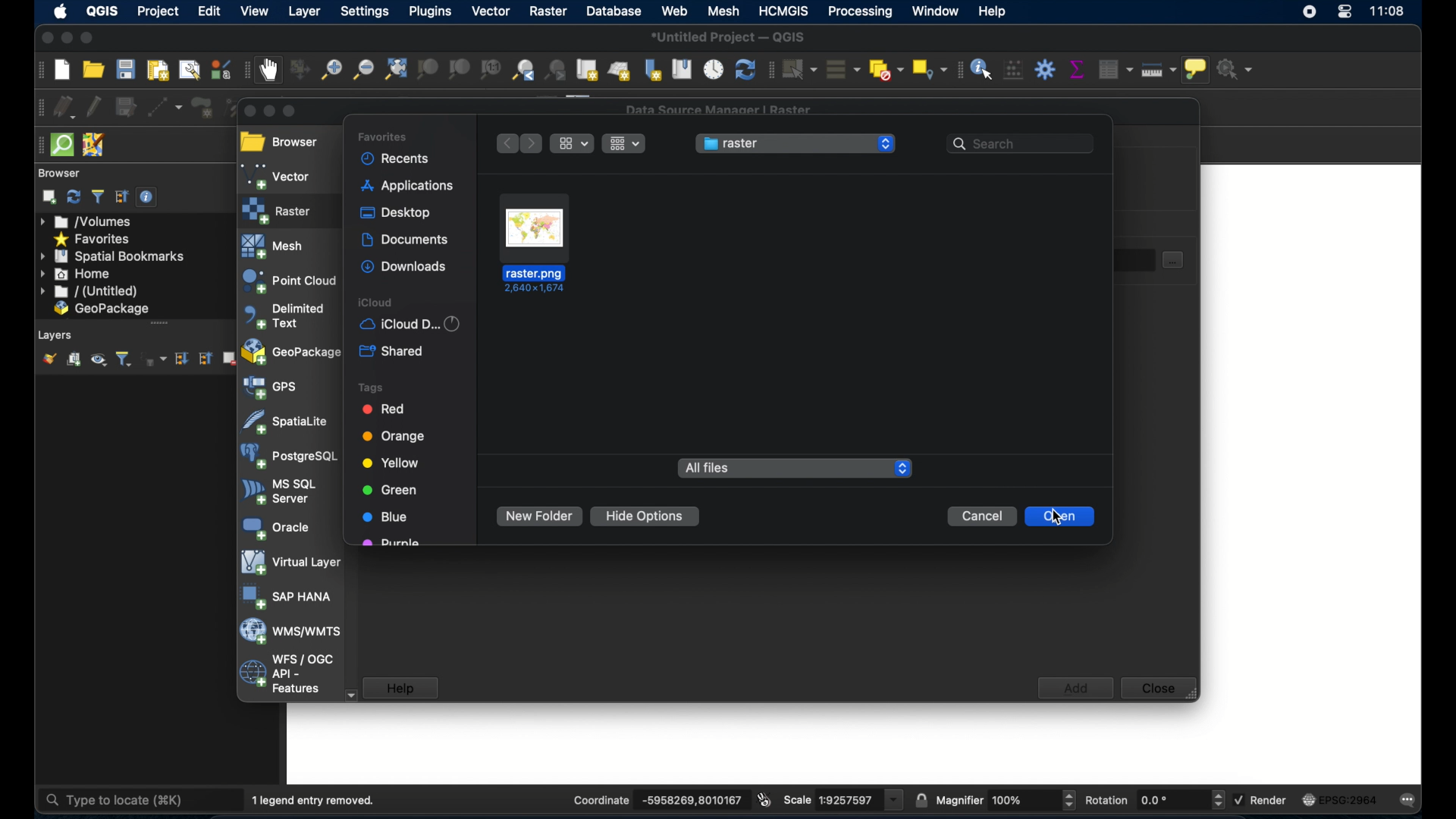 The width and height of the screenshot is (1456, 819). I want to click on desktop, so click(397, 212).